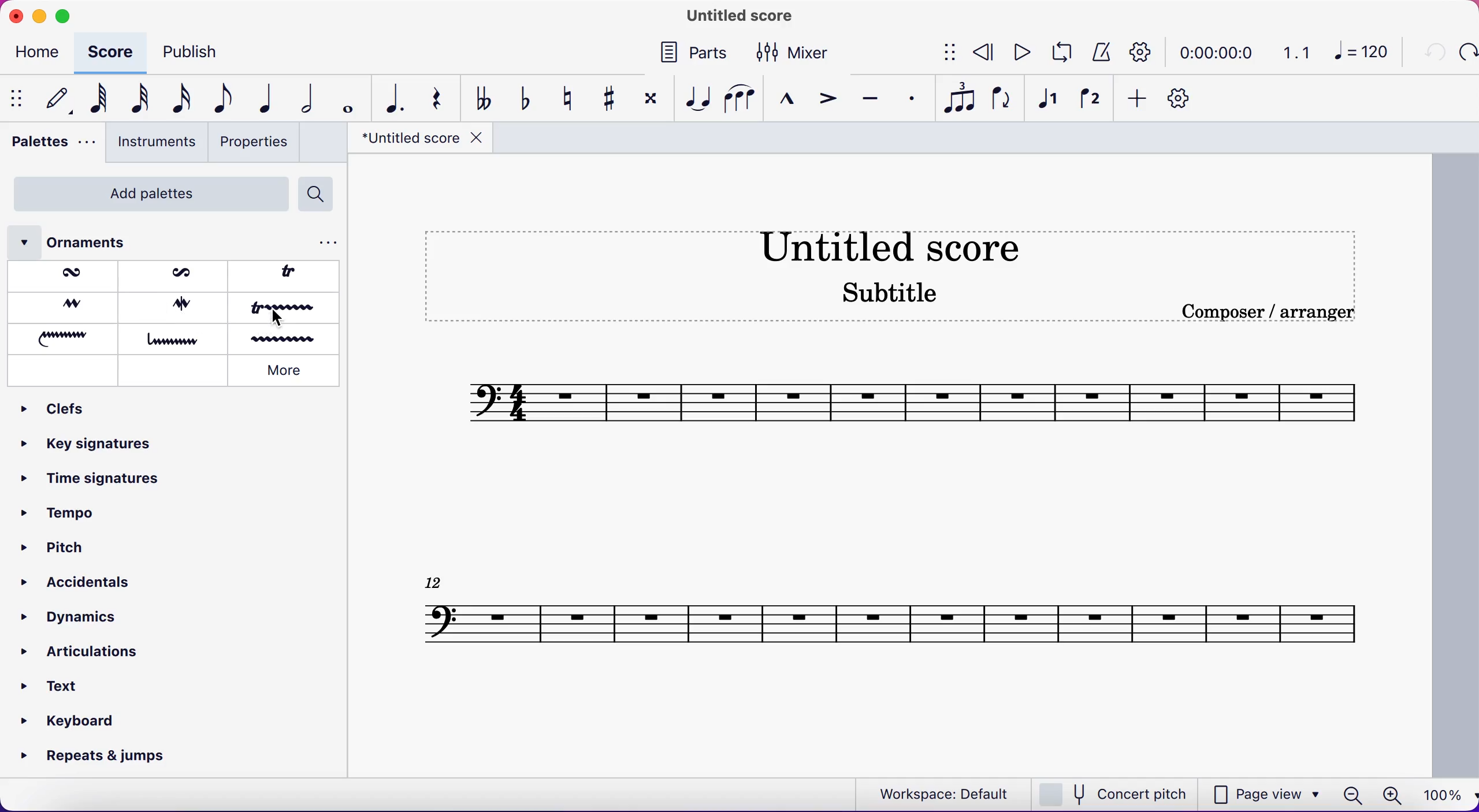 This screenshot has width=1479, height=812. Describe the element at coordinates (391, 98) in the screenshot. I see `augmentation dot` at that location.